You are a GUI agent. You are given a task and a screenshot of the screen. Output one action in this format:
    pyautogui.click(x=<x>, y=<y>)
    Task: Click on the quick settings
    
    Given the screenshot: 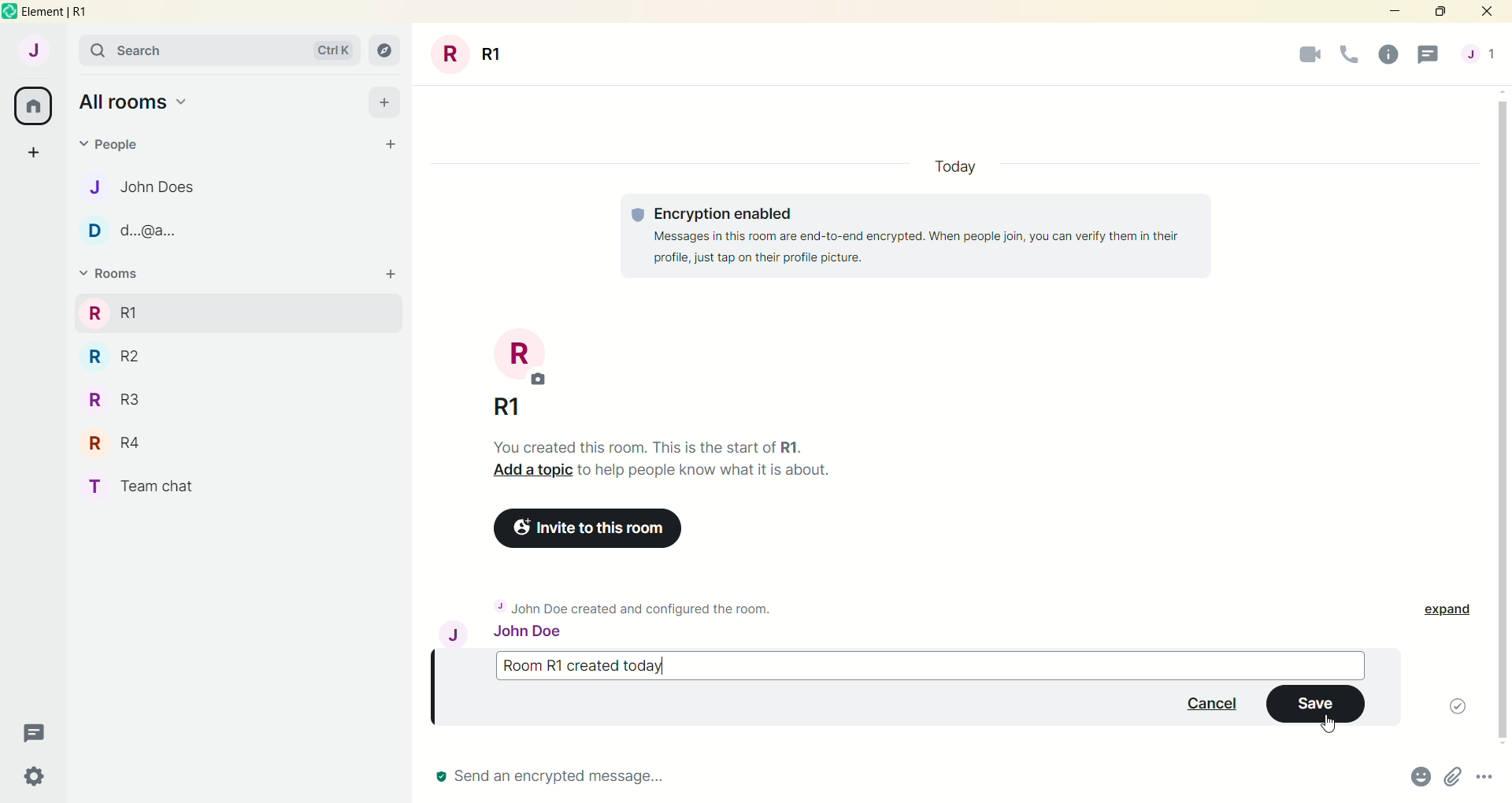 What is the action you would take?
    pyautogui.click(x=40, y=774)
    